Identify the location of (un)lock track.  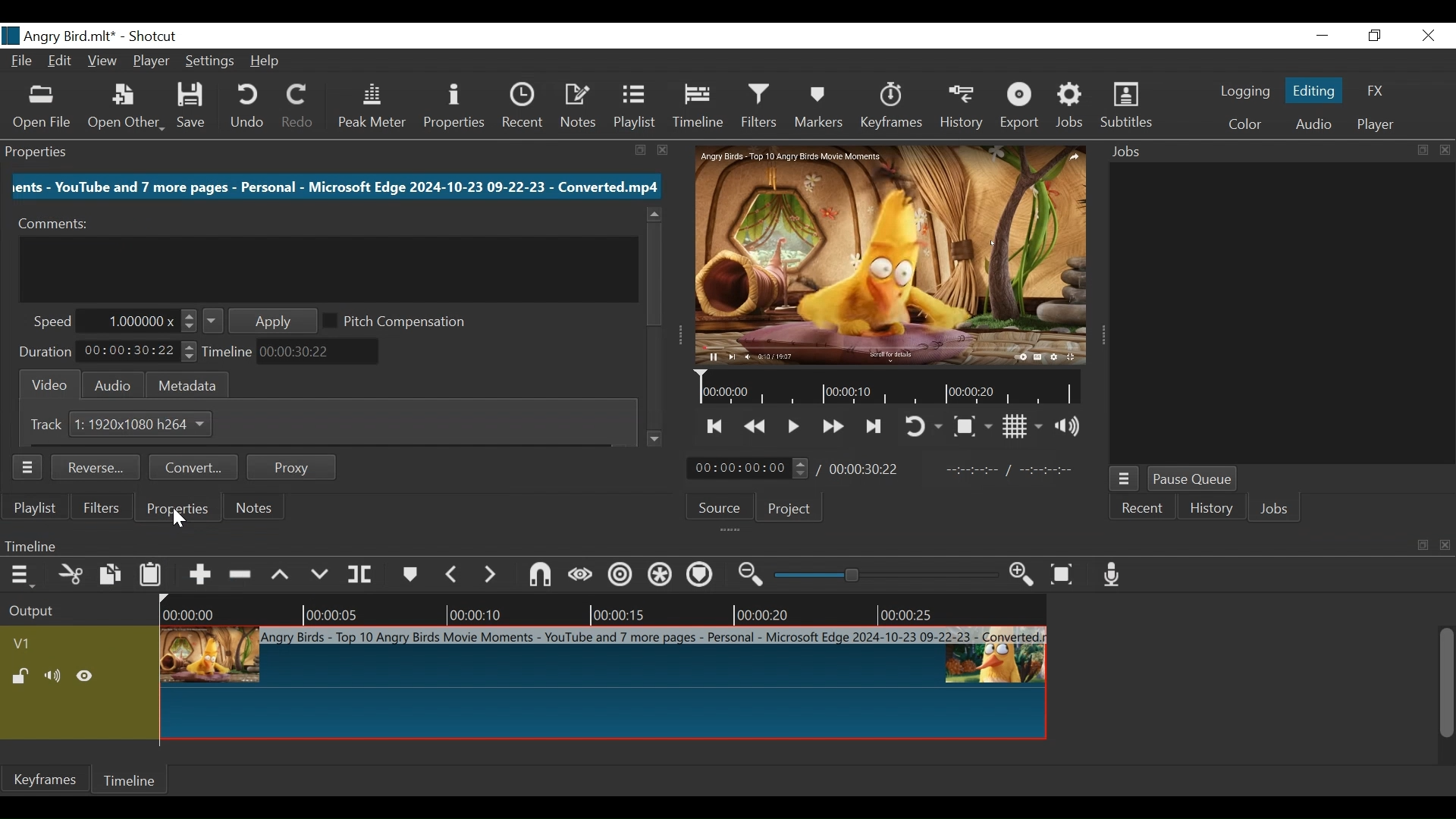
(22, 675).